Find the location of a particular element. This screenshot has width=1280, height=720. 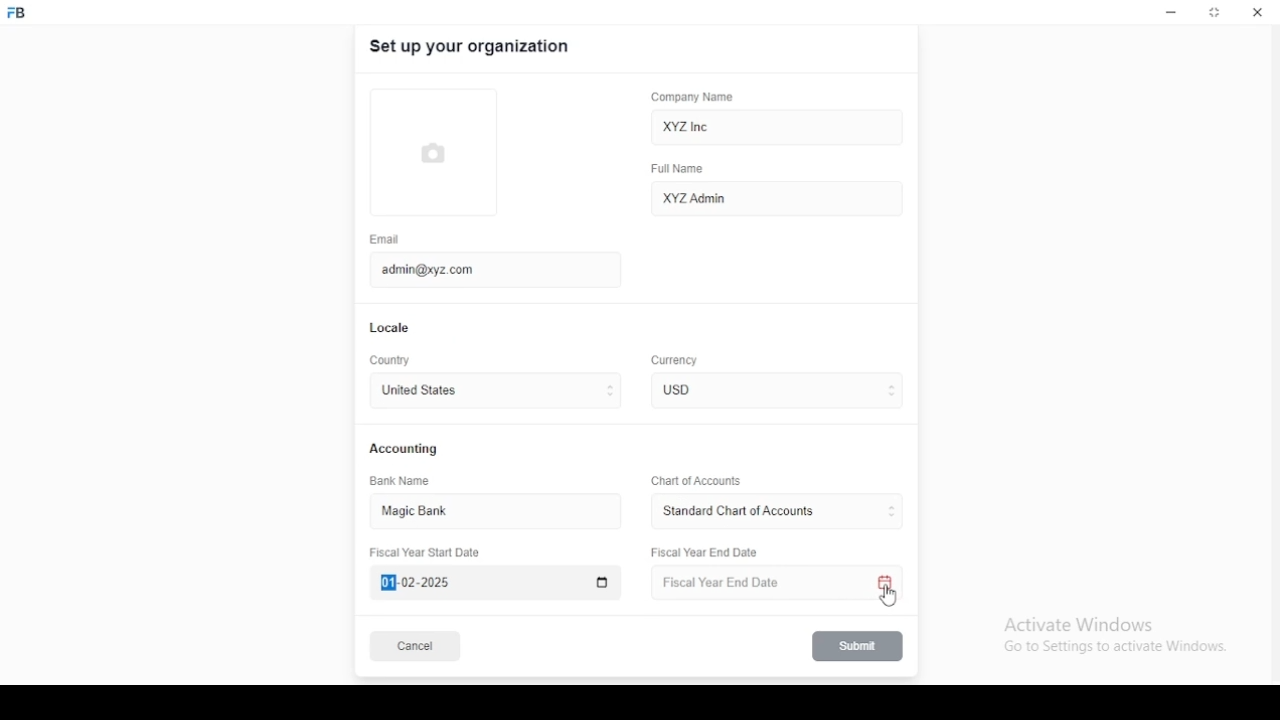

cancel is located at coordinates (415, 647).